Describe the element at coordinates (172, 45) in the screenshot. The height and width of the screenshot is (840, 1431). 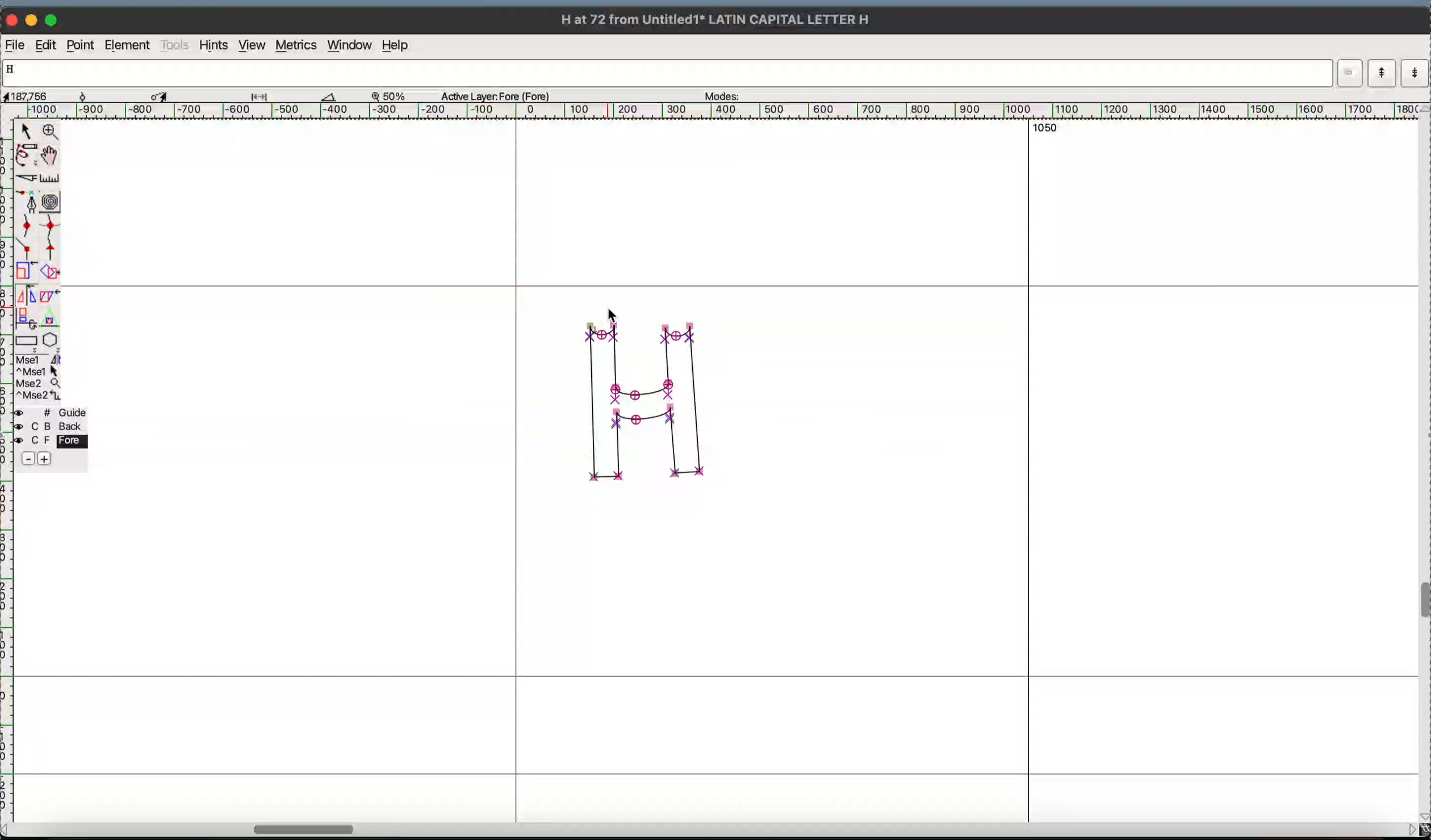
I see `tools` at that location.